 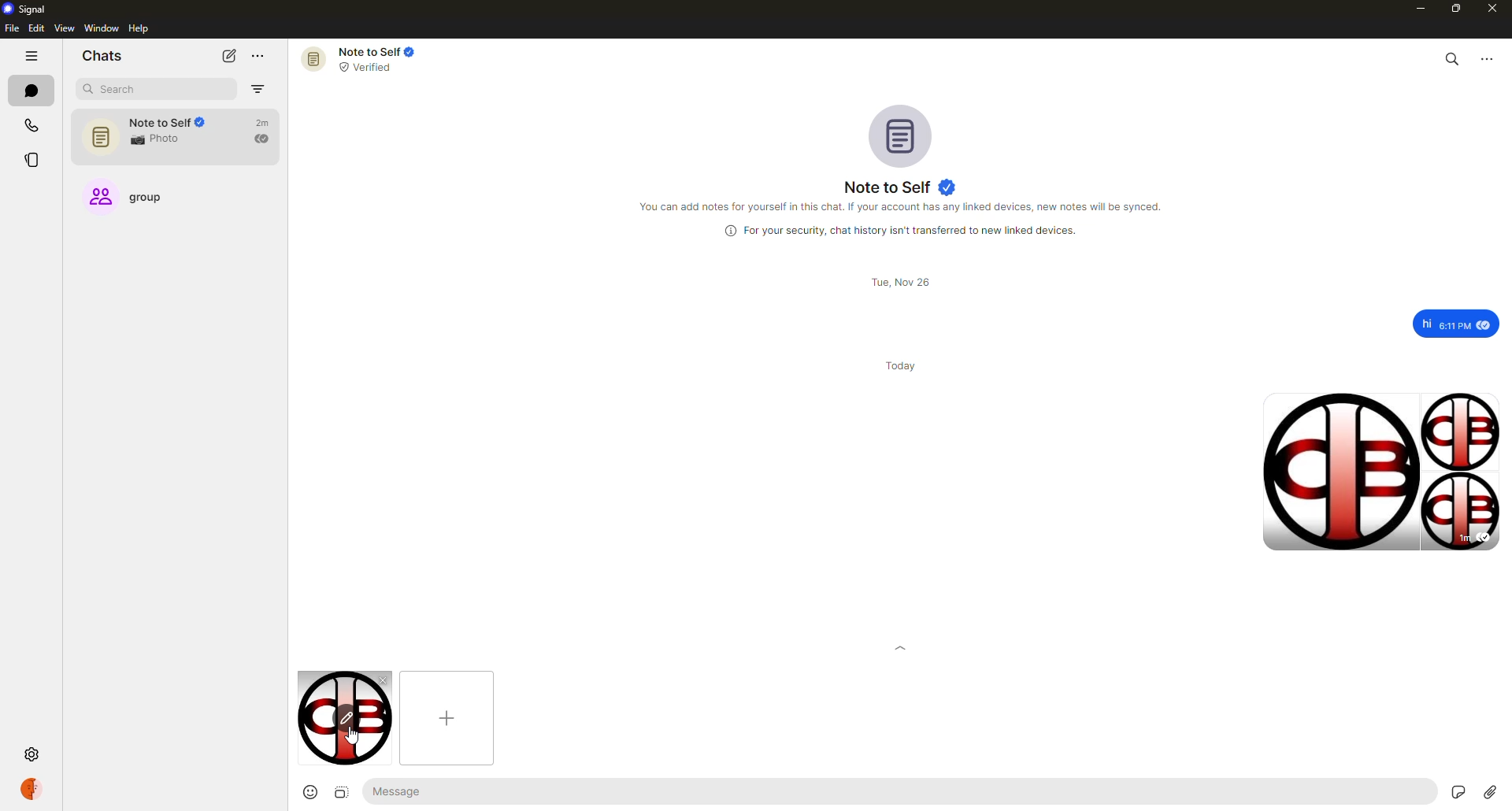 What do you see at coordinates (258, 89) in the screenshot?
I see `filter` at bounding box center [258, 89].